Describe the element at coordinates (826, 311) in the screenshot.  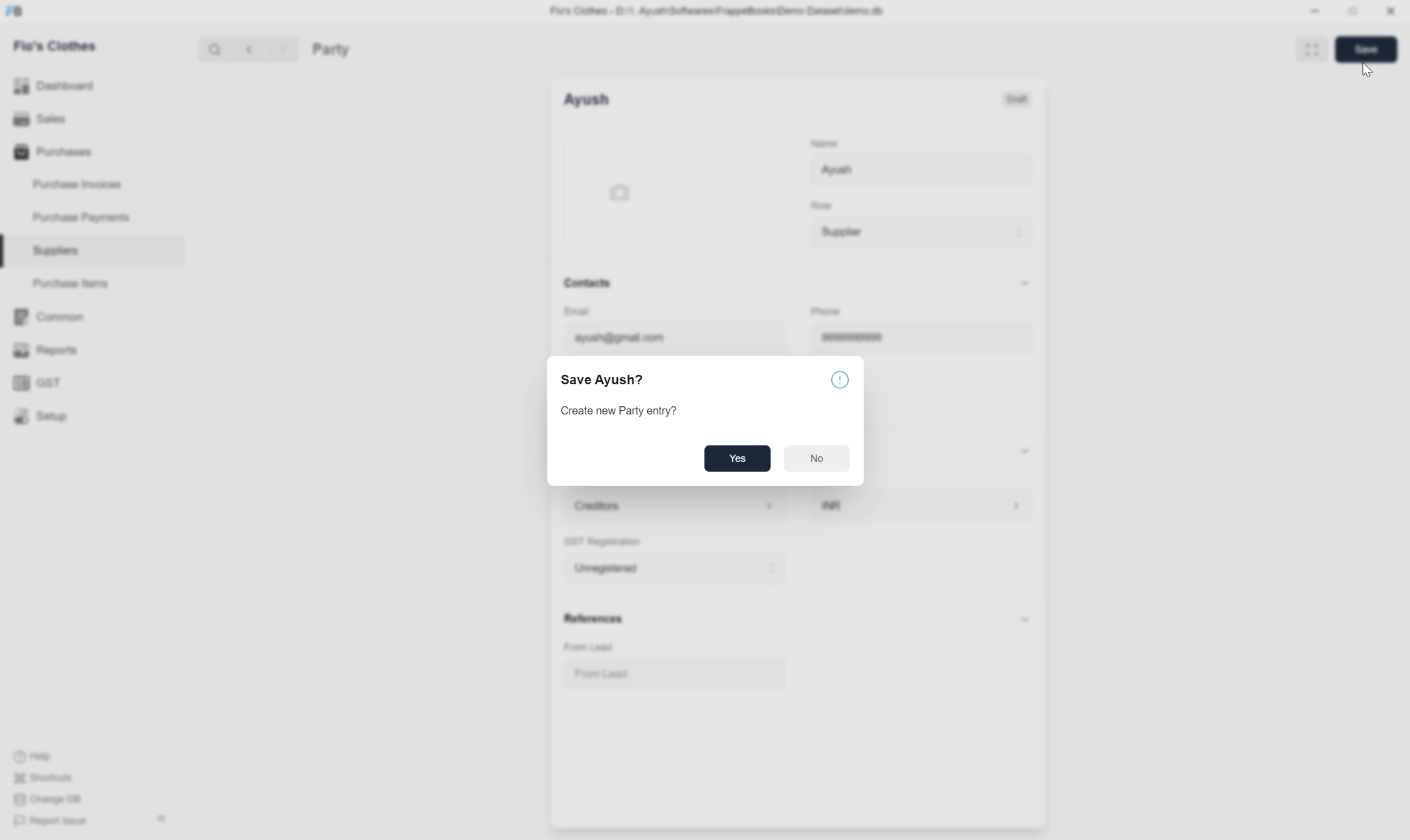
I see `Phone` at that location.